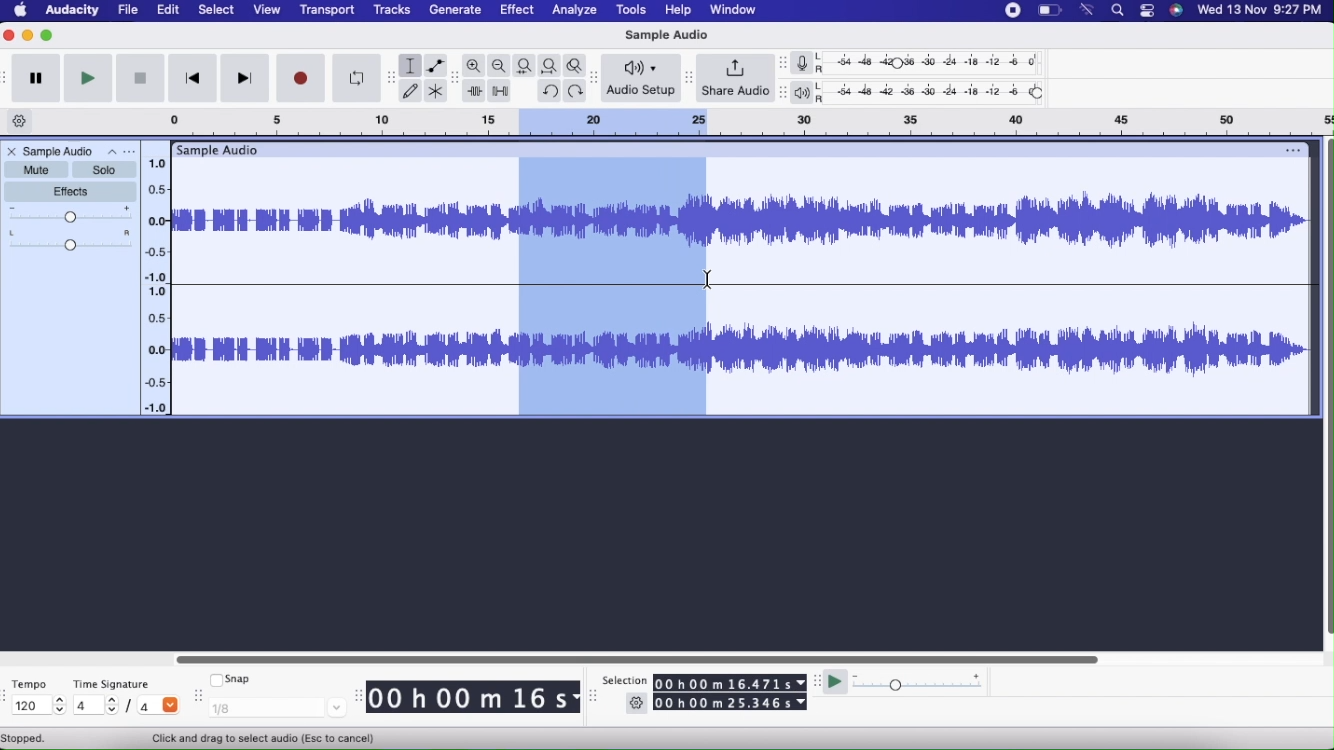  Describe the element at coordinates (231, 677) in the screenshot. I see `Snap` at that location.